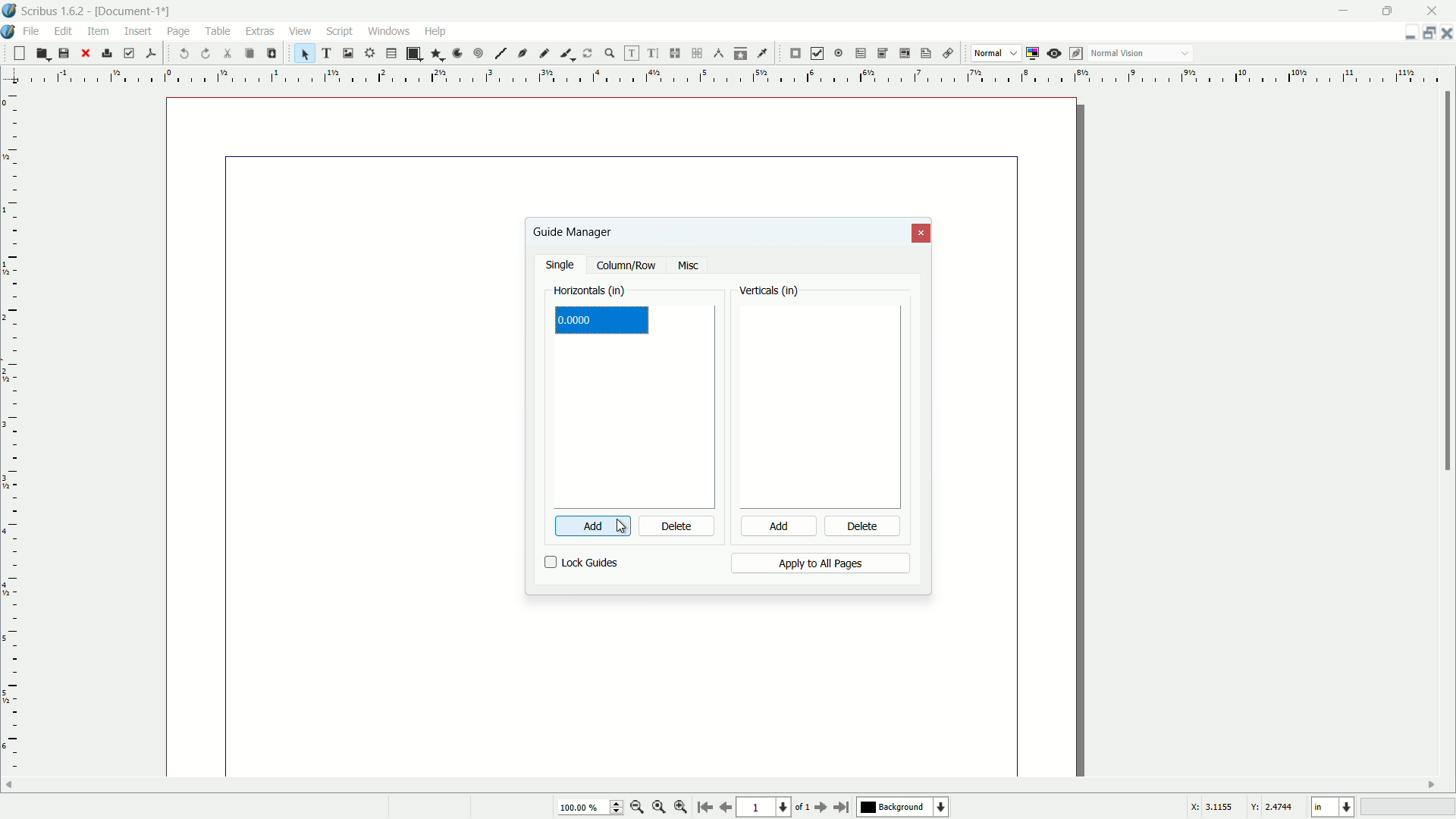 This screenshot has height=819, width=1456. Describe the element at coordinates (1119, 54) in the screenshot. I see `normal vision` at that location.